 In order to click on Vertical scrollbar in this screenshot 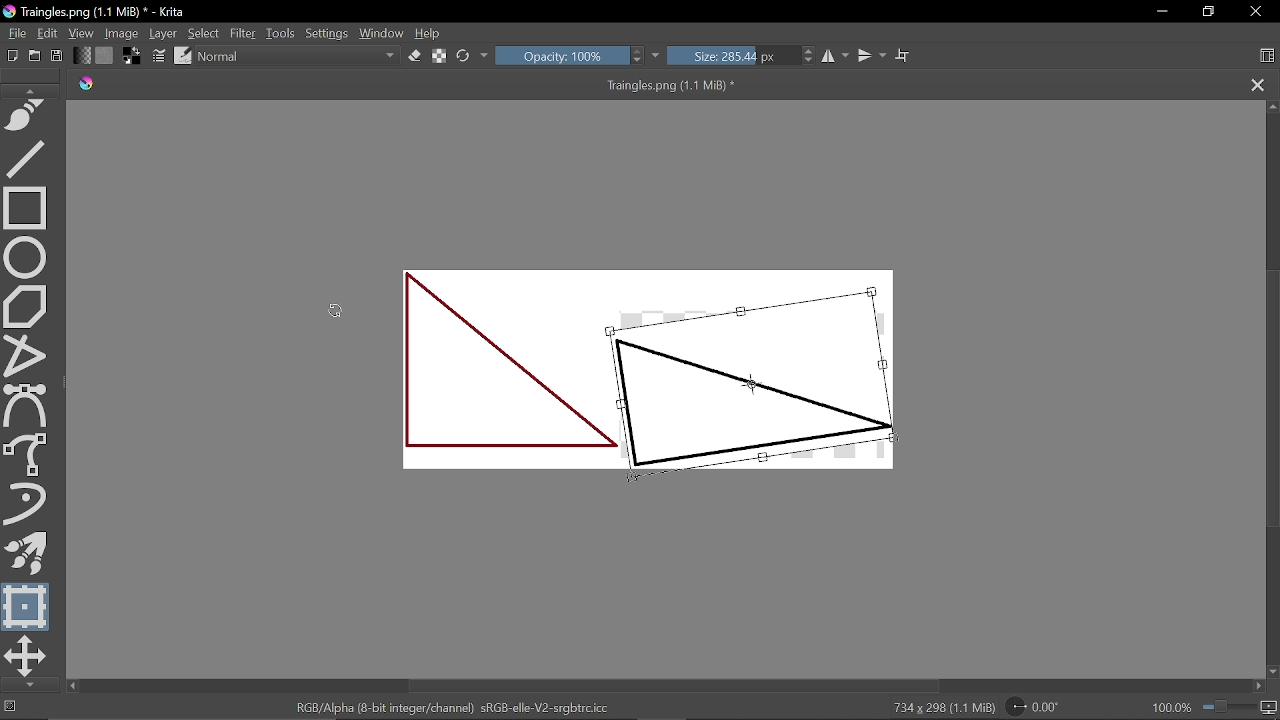, I will do `click(1271, 396)`.